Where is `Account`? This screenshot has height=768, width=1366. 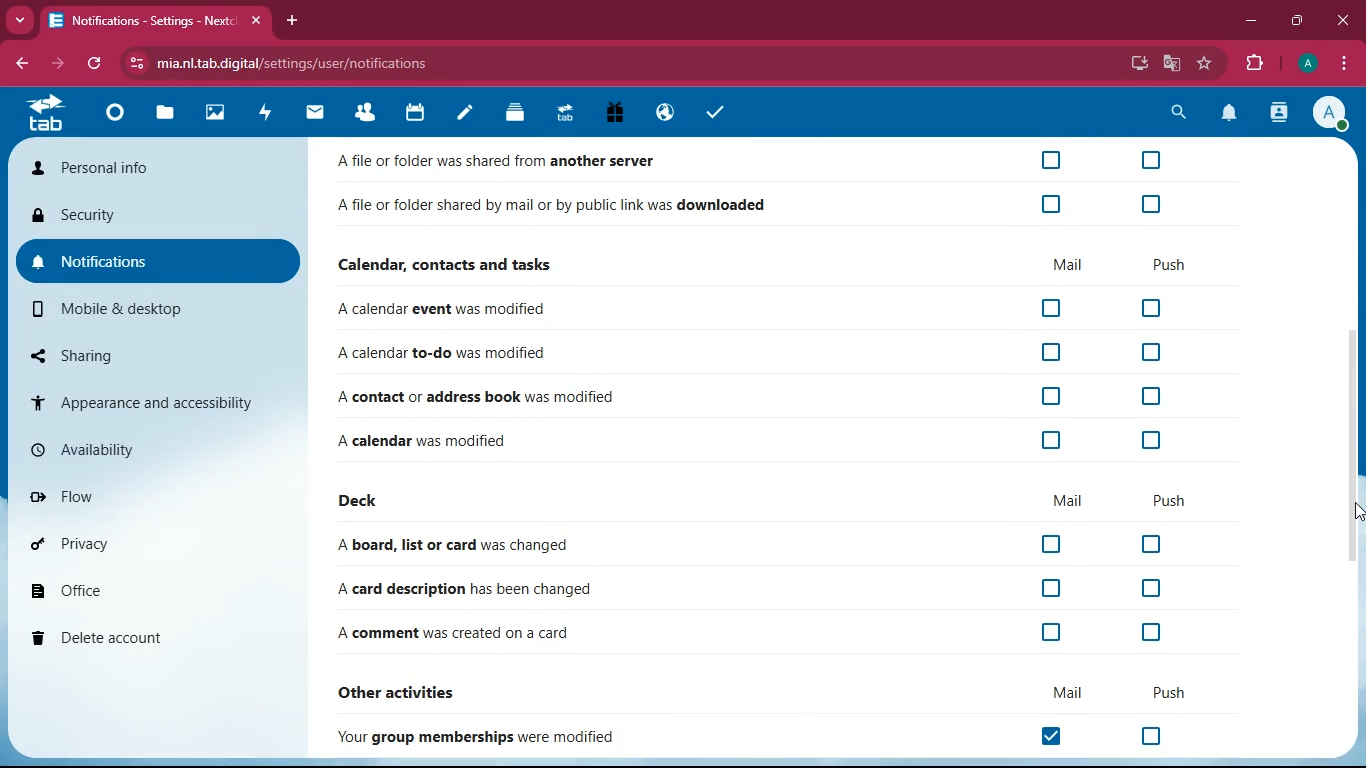
Account is located at coordinates (1305, 61).